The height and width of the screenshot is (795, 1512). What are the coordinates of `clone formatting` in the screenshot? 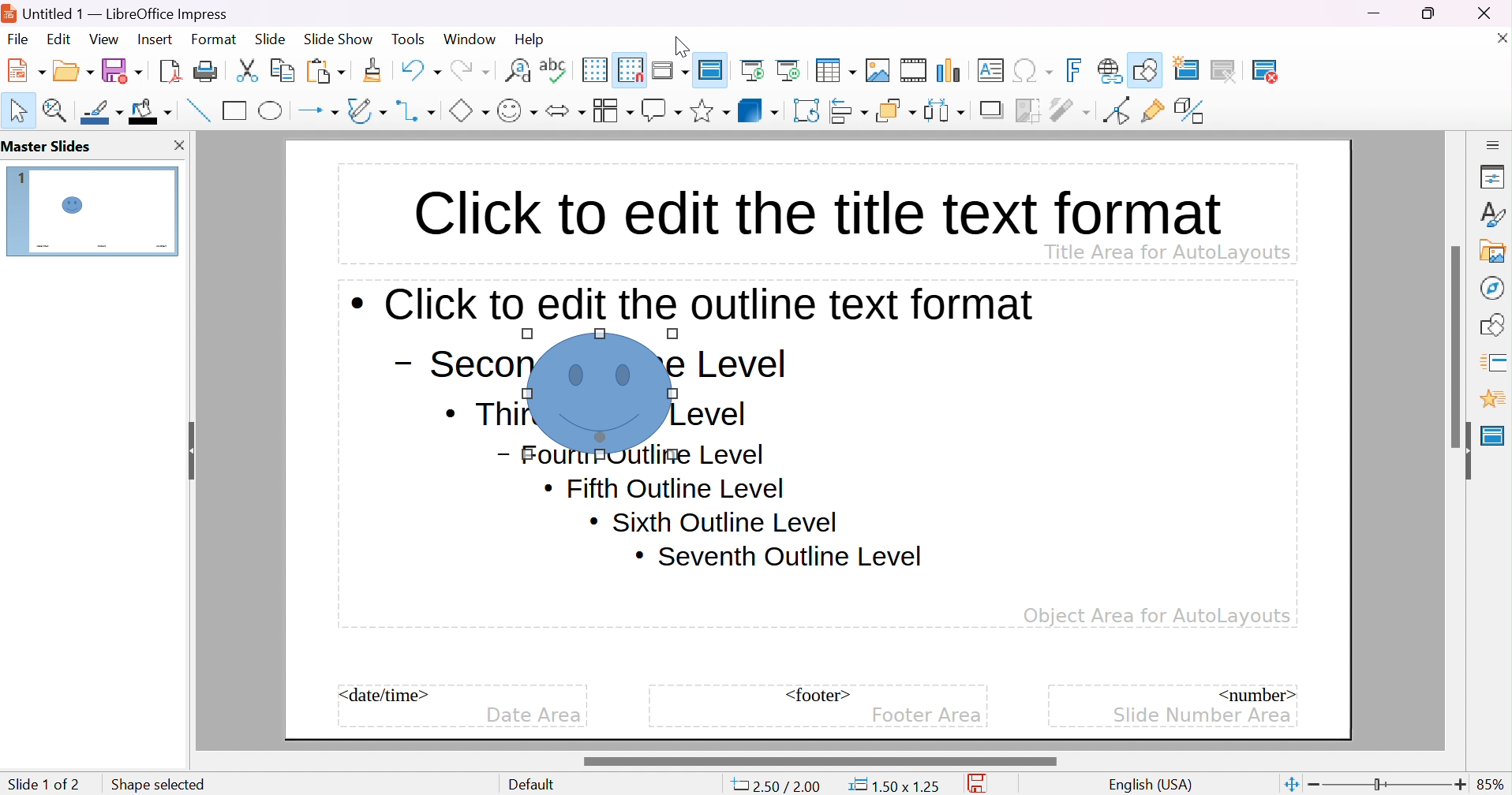 It's located at (372, 70).